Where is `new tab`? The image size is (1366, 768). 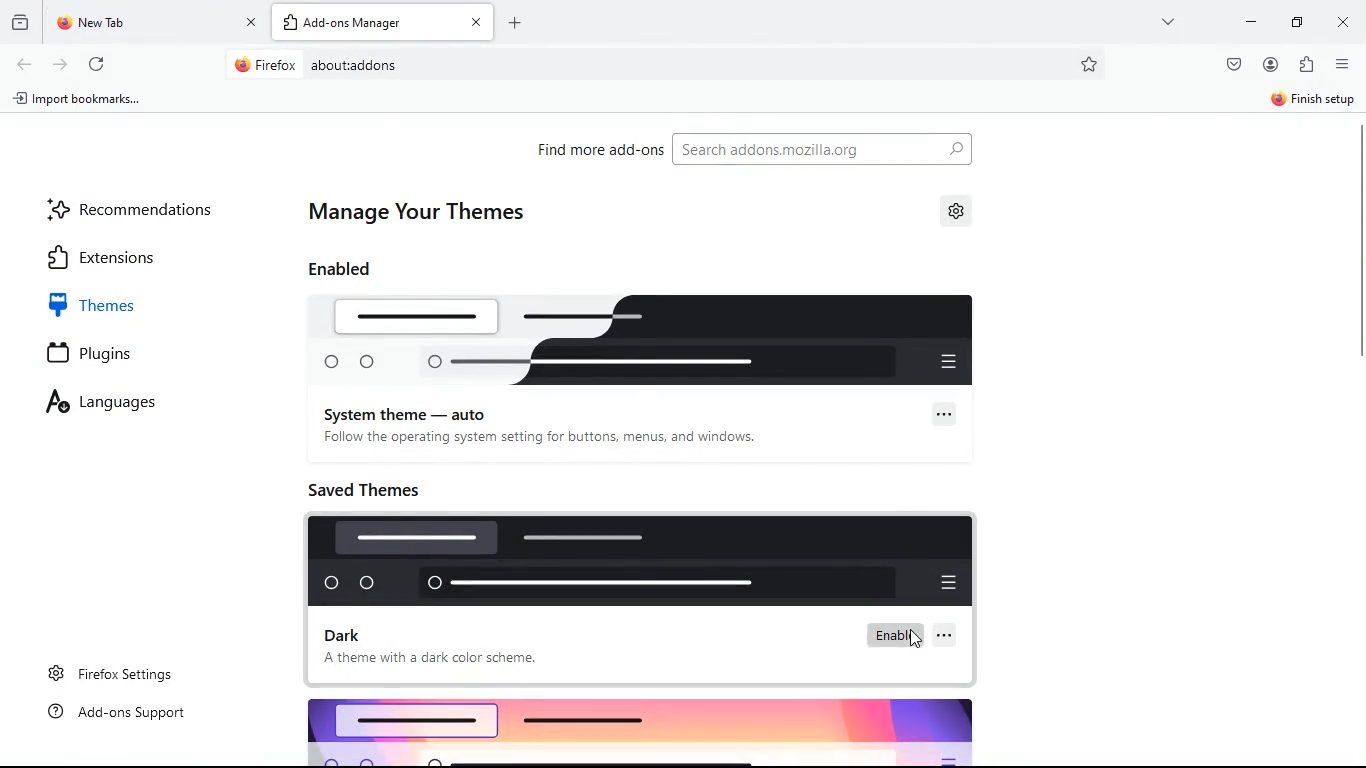
new tab is located at coordinates (142, 22).